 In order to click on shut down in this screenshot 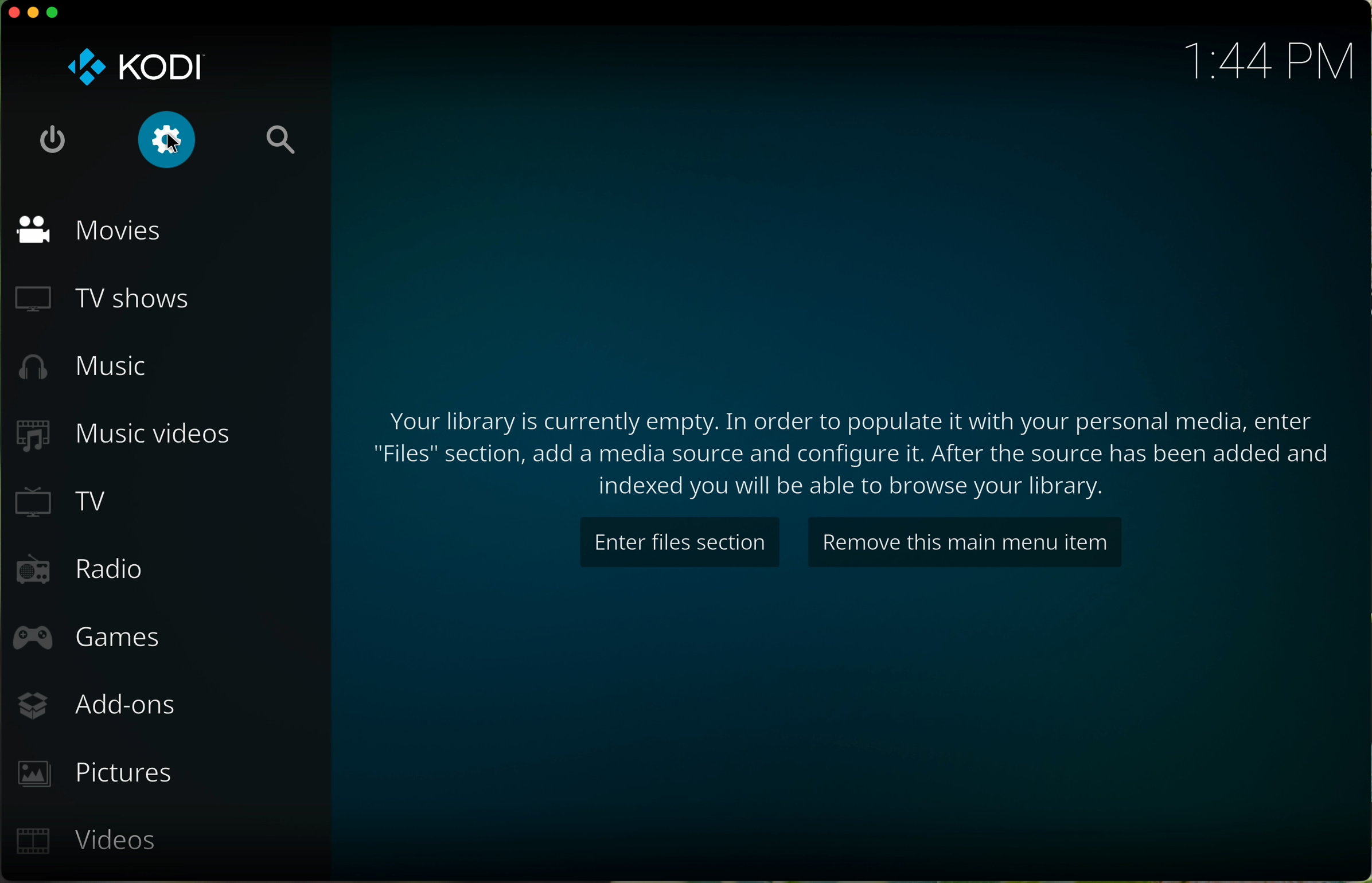, I will do `click(55, 142)`.